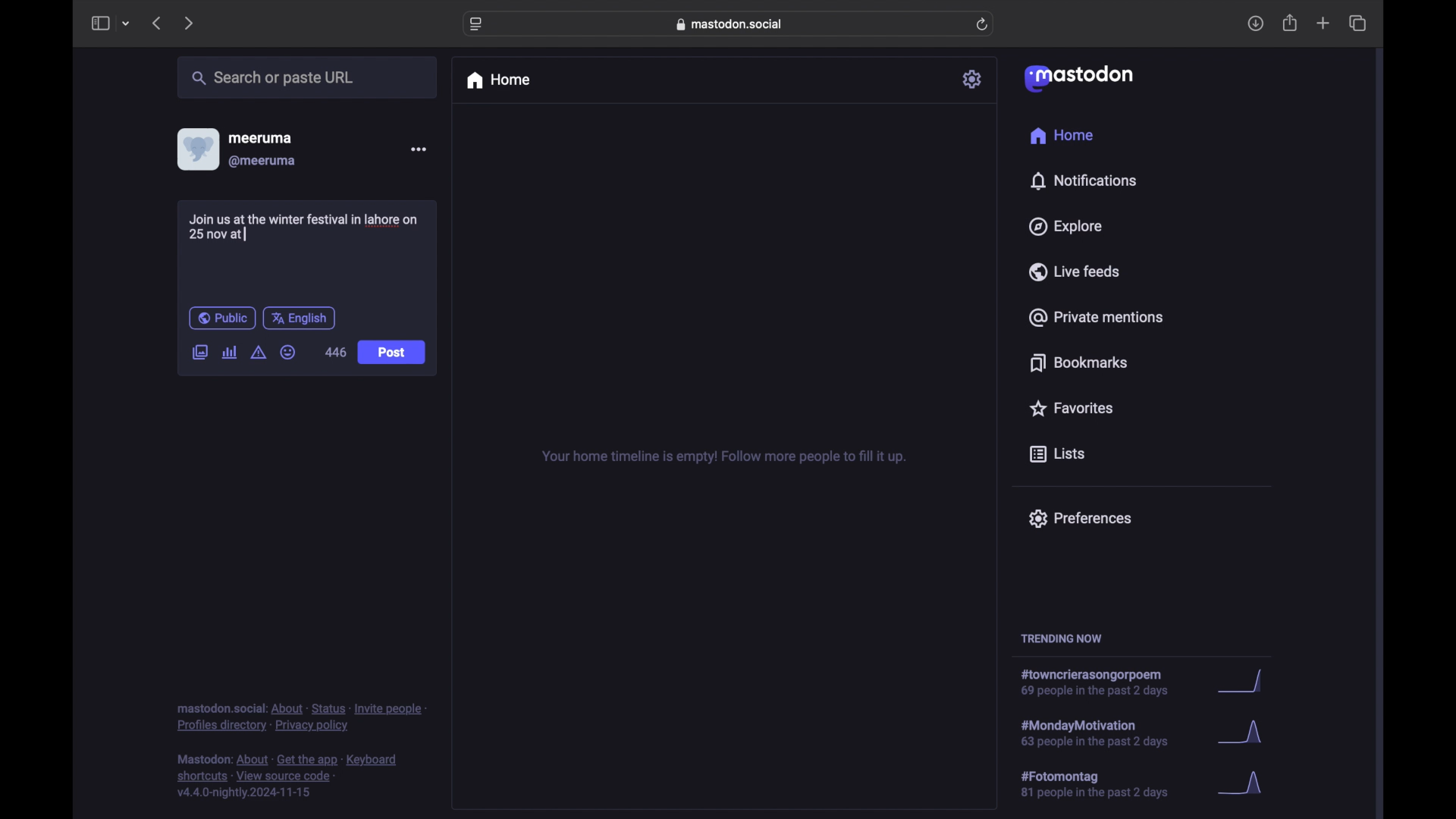  What do you see at coordinates (302, 717) in the screenshot?
I see `footnote` at bounding box center [302, 717].